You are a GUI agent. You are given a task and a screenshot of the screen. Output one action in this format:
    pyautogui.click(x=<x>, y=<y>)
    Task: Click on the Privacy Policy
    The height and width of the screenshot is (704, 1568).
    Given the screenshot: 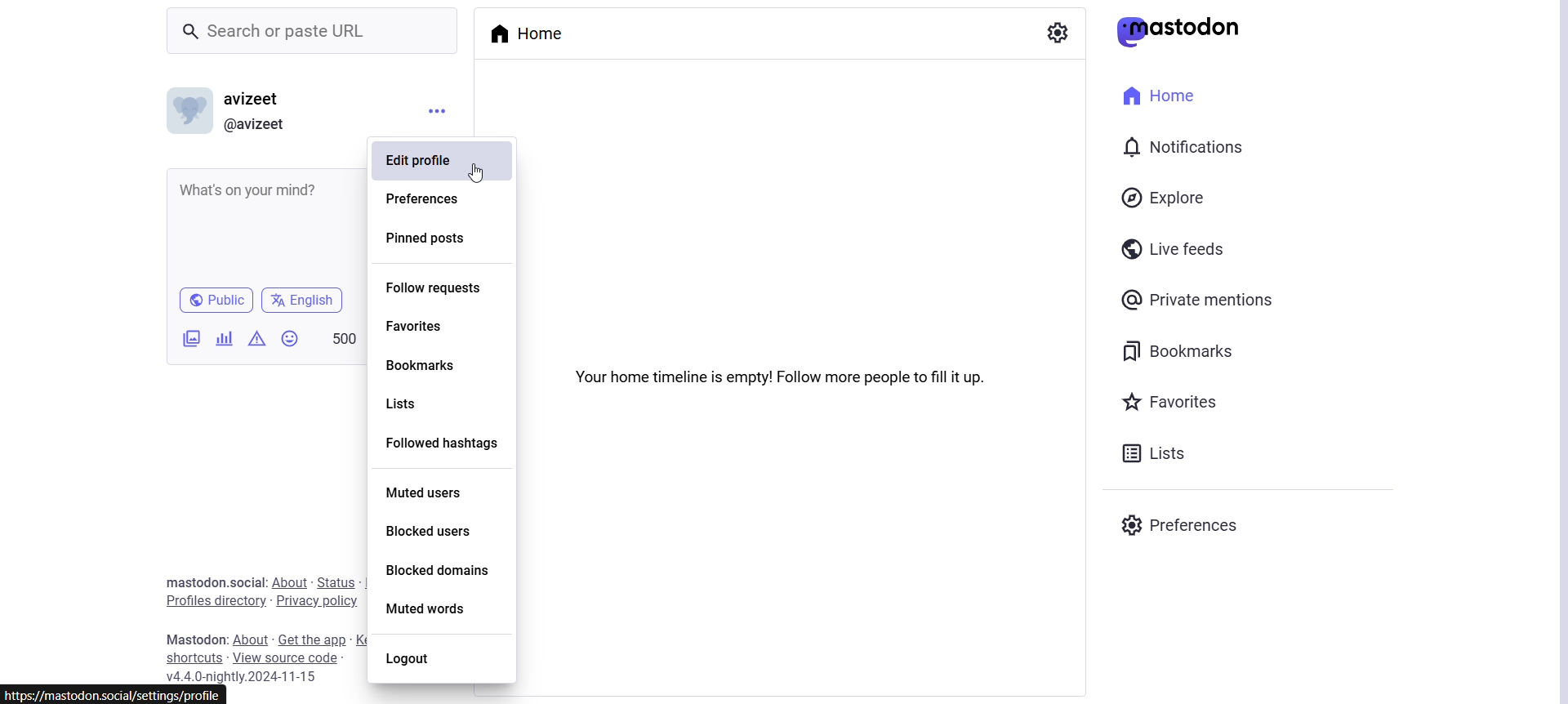 What is the action you would take?
    pyautogui.click(x=318, y=600)
    